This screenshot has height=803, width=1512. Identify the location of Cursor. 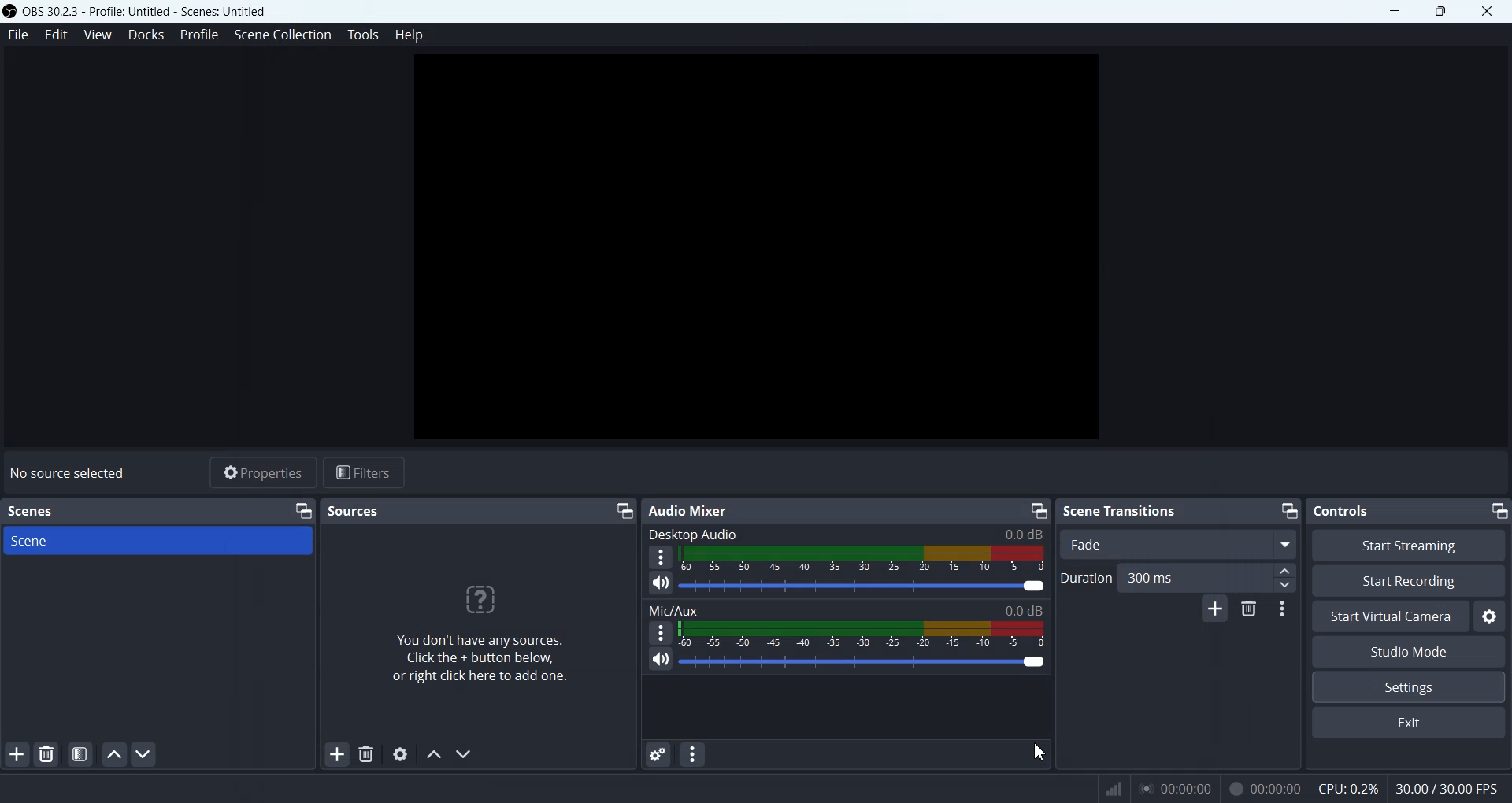
(1394, 690).